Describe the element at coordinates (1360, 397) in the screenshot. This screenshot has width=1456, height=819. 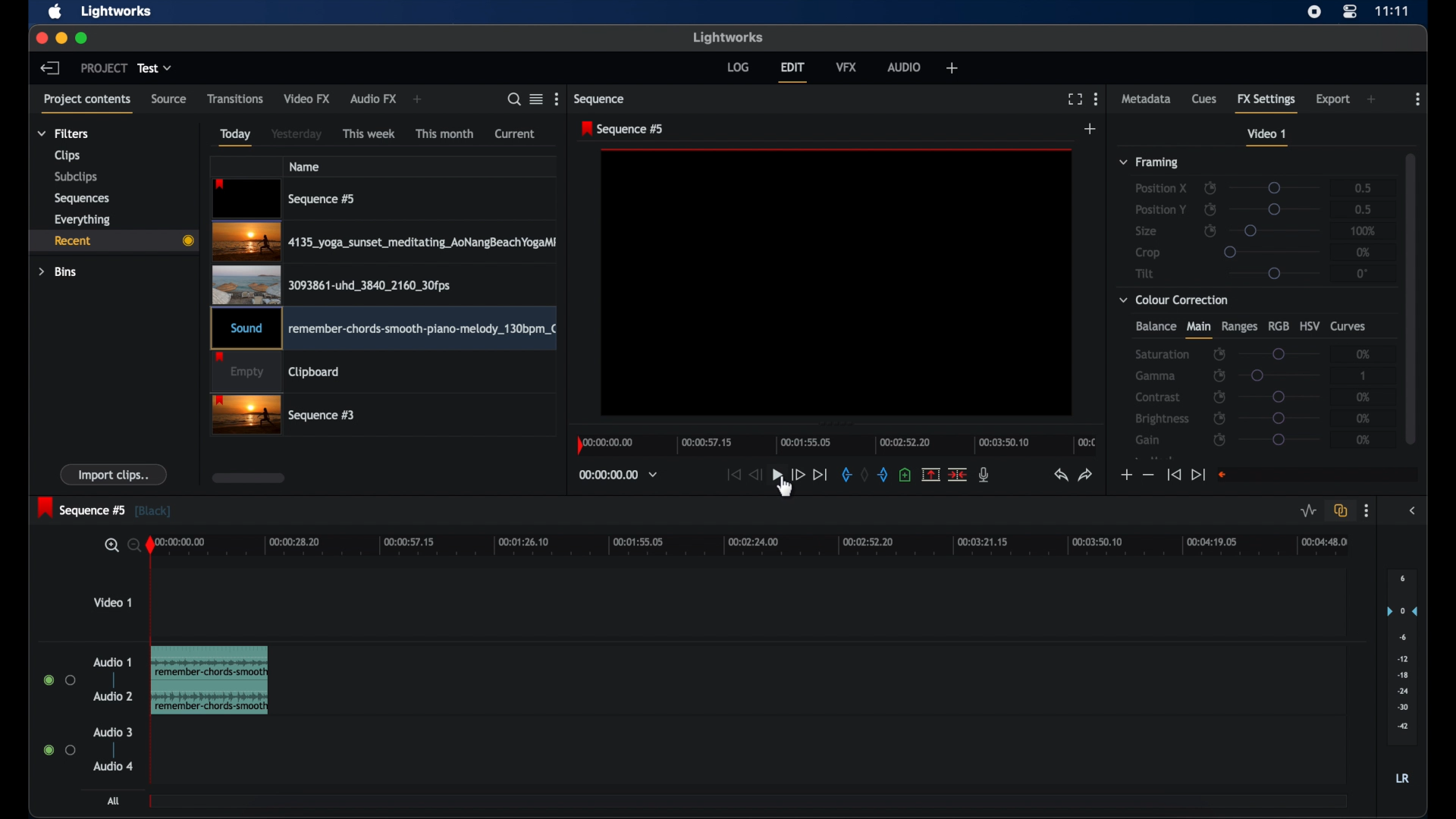
I see `0%` at that location.